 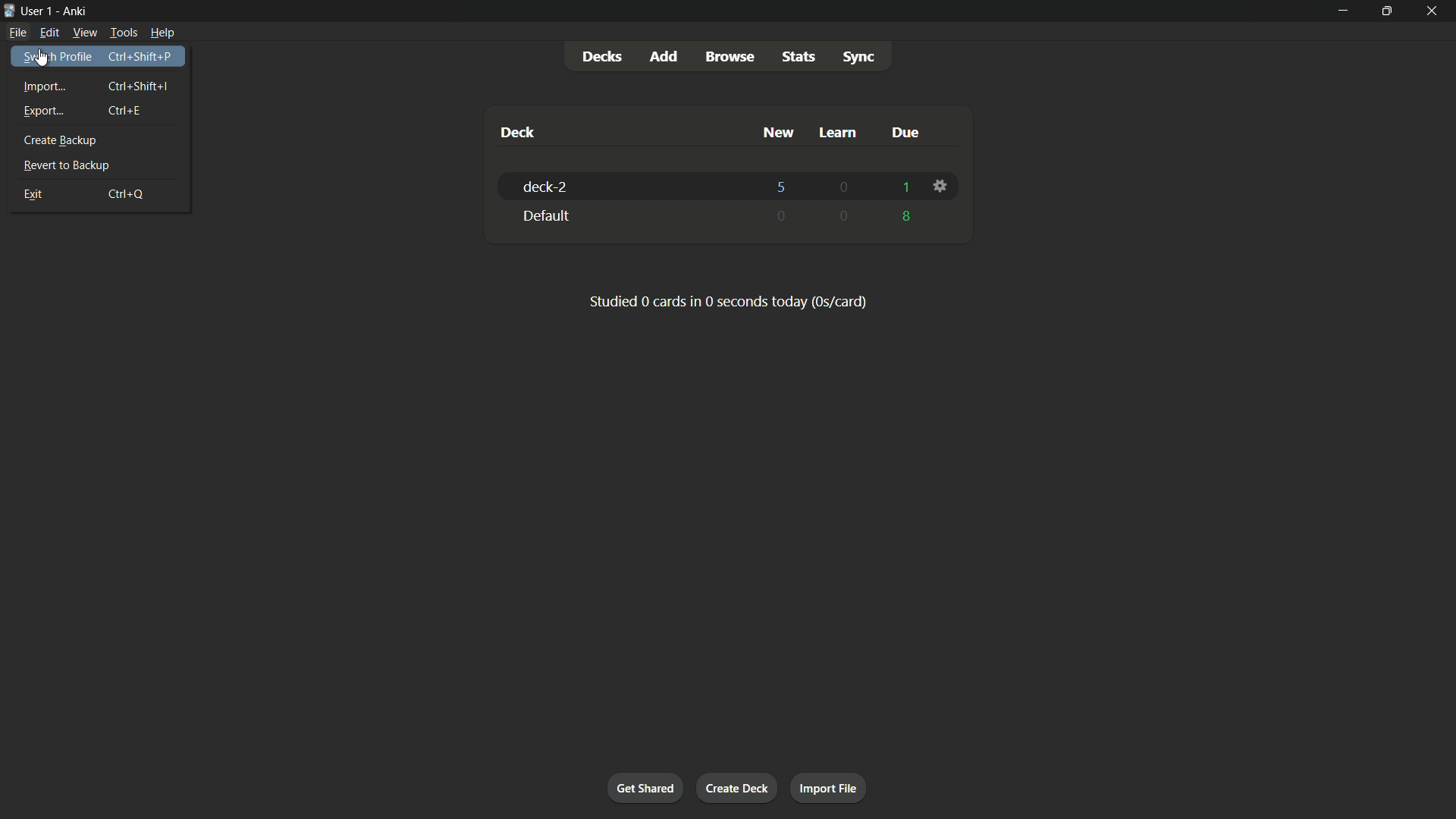 What do you see at coordinates (783, 215) in the screenshot?
I see `0` at bounding box center [783, 215].